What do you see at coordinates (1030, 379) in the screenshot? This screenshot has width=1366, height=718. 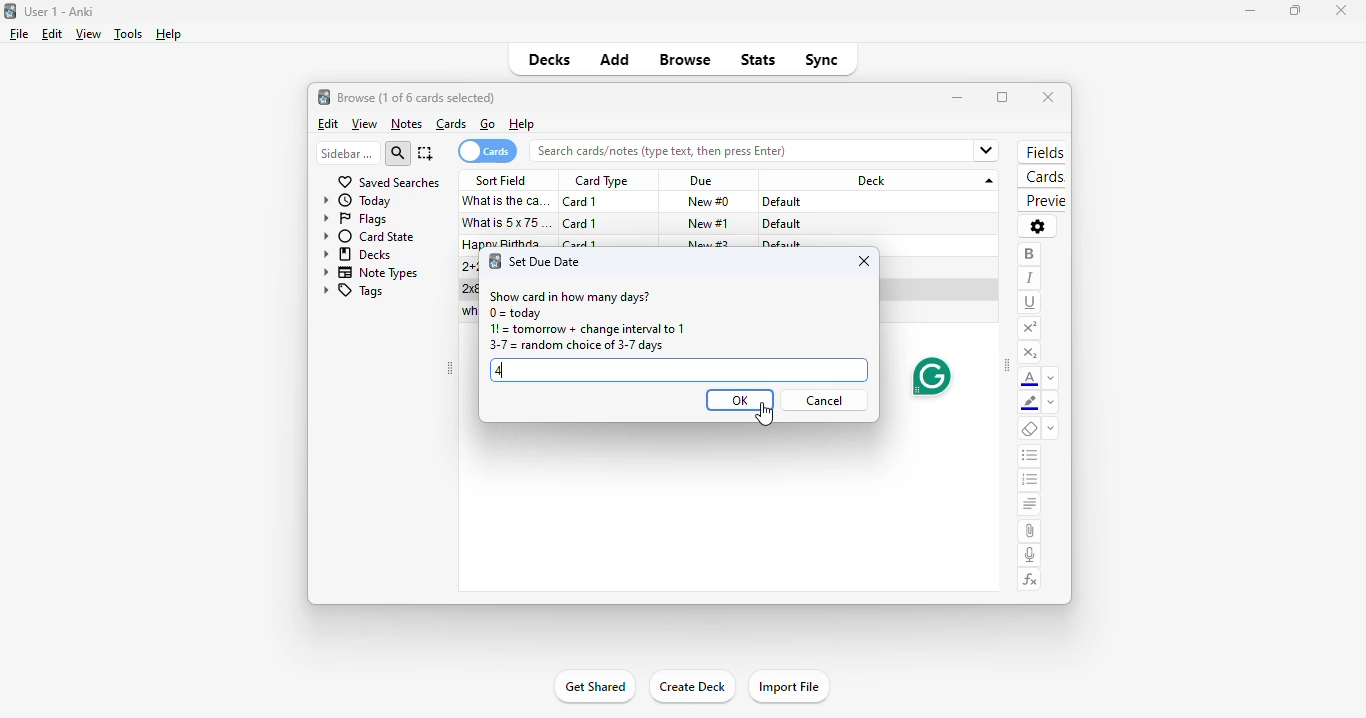 I see `text color` at bounding box center [1030, 379].